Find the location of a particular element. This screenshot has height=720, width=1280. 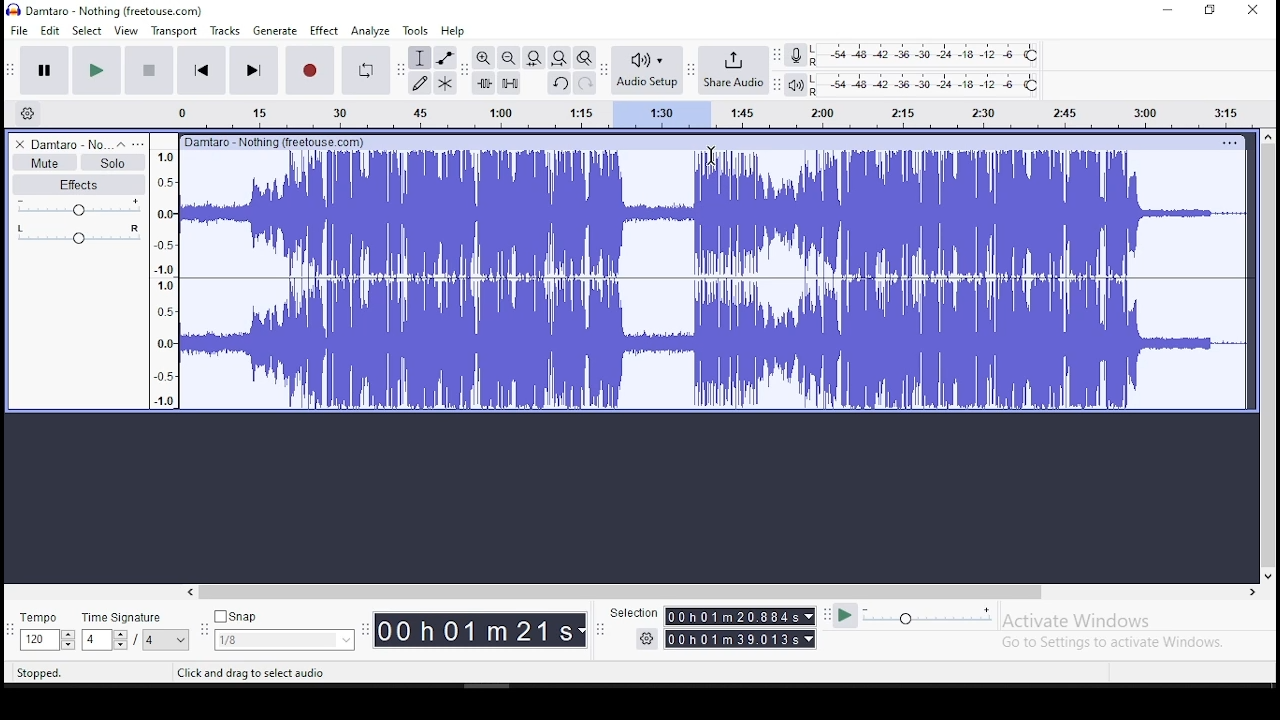

recording level is located at coordinates (927, 54).